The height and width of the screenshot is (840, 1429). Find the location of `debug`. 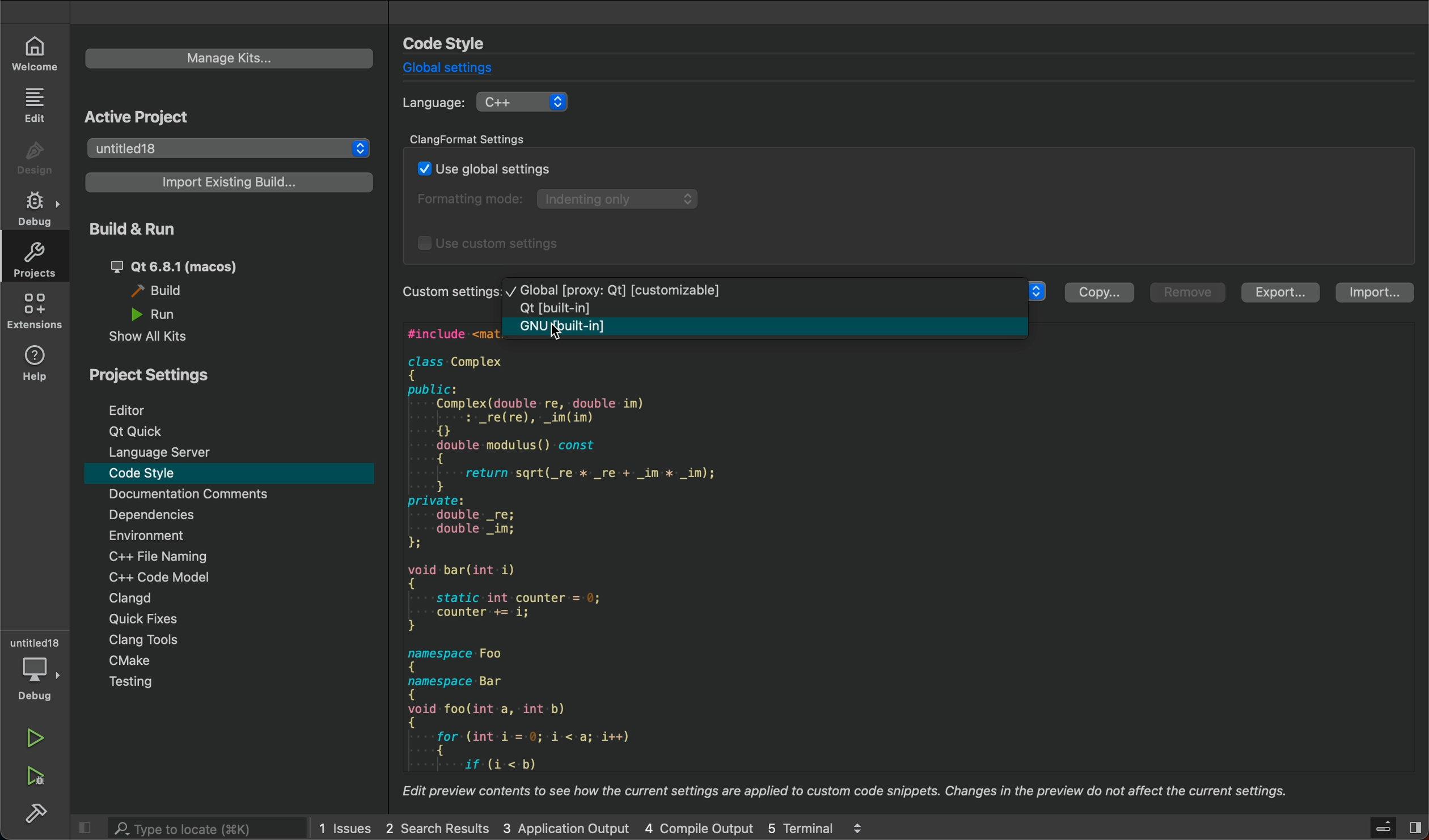

debug is located at coordinates (38, 682).